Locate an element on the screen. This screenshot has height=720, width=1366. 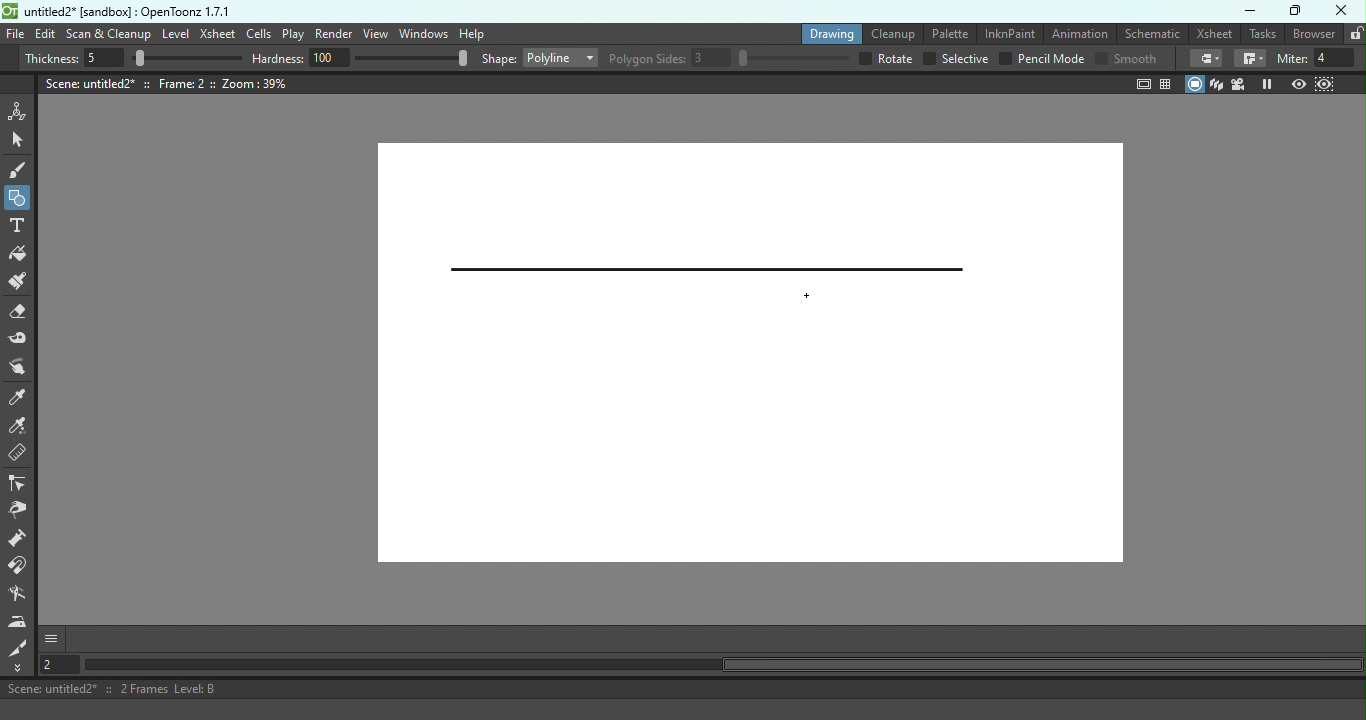
Field guide is located at coordinates (1167, 83).